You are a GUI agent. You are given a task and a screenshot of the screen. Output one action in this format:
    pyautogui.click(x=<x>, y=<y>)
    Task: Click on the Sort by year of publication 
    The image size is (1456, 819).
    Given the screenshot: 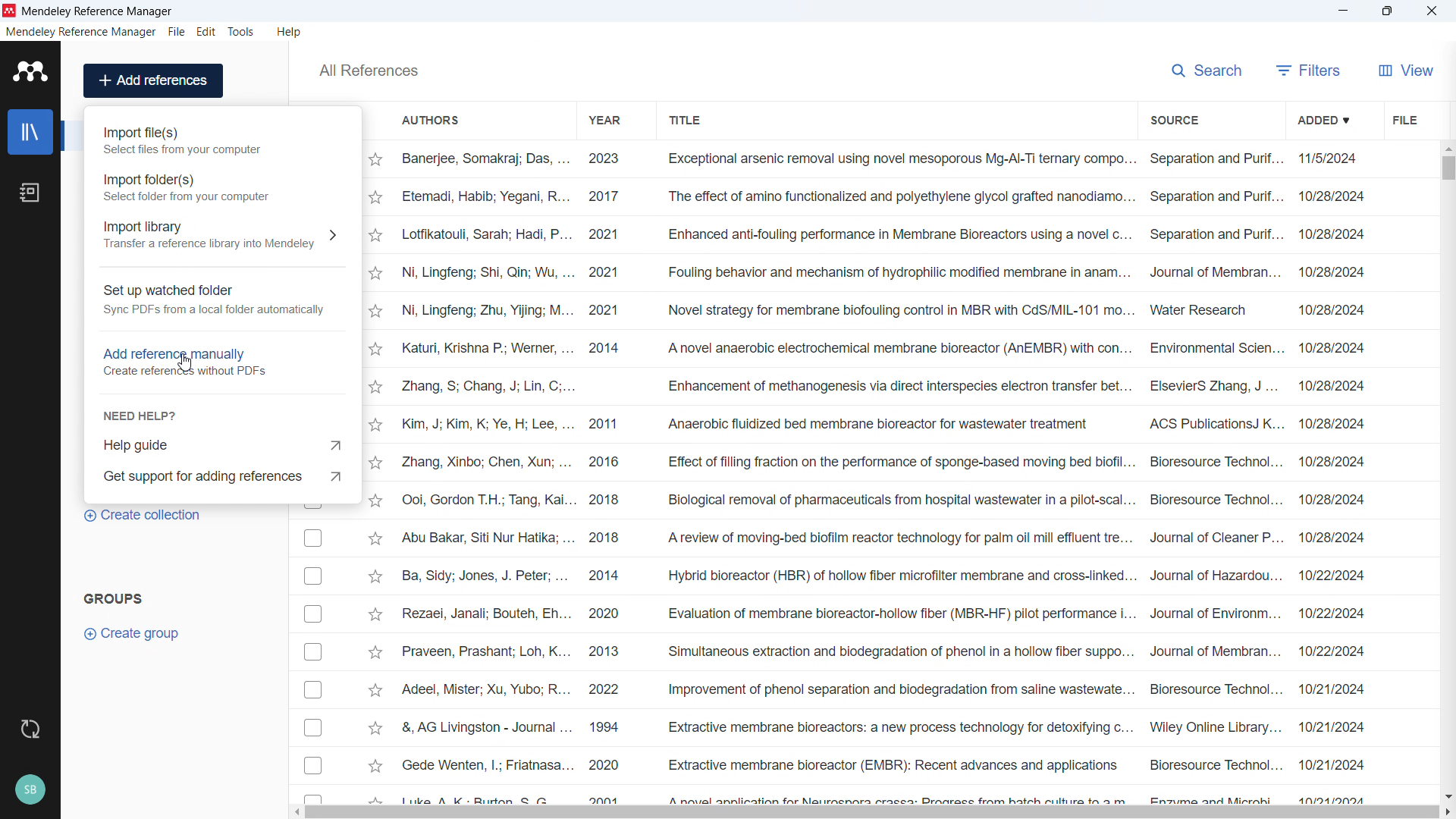 What is the action you would take?
    pyautogui.click(x=603, y=119)
    